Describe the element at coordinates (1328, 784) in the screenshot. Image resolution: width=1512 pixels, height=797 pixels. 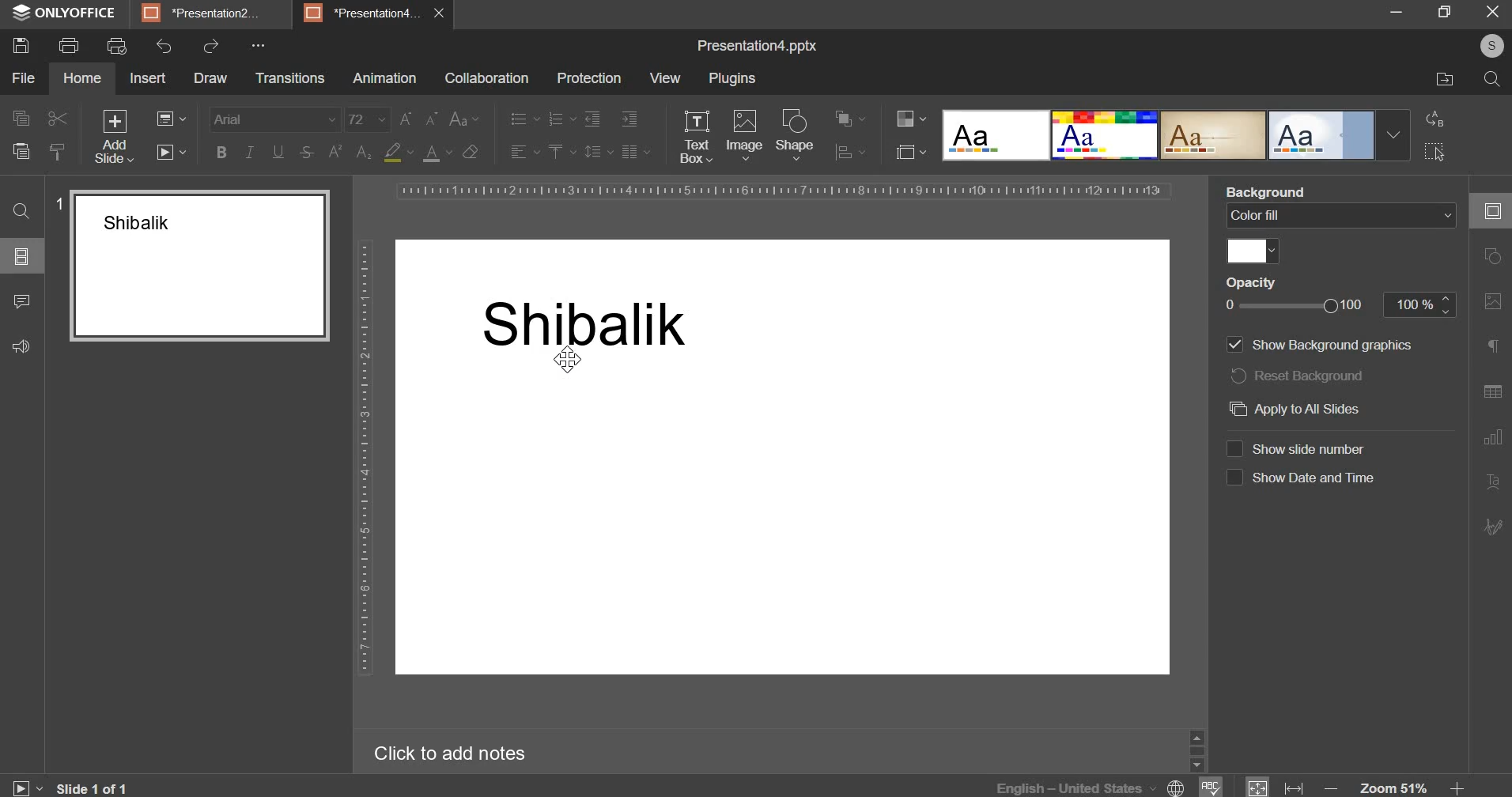
I see `zoom out` at that location.